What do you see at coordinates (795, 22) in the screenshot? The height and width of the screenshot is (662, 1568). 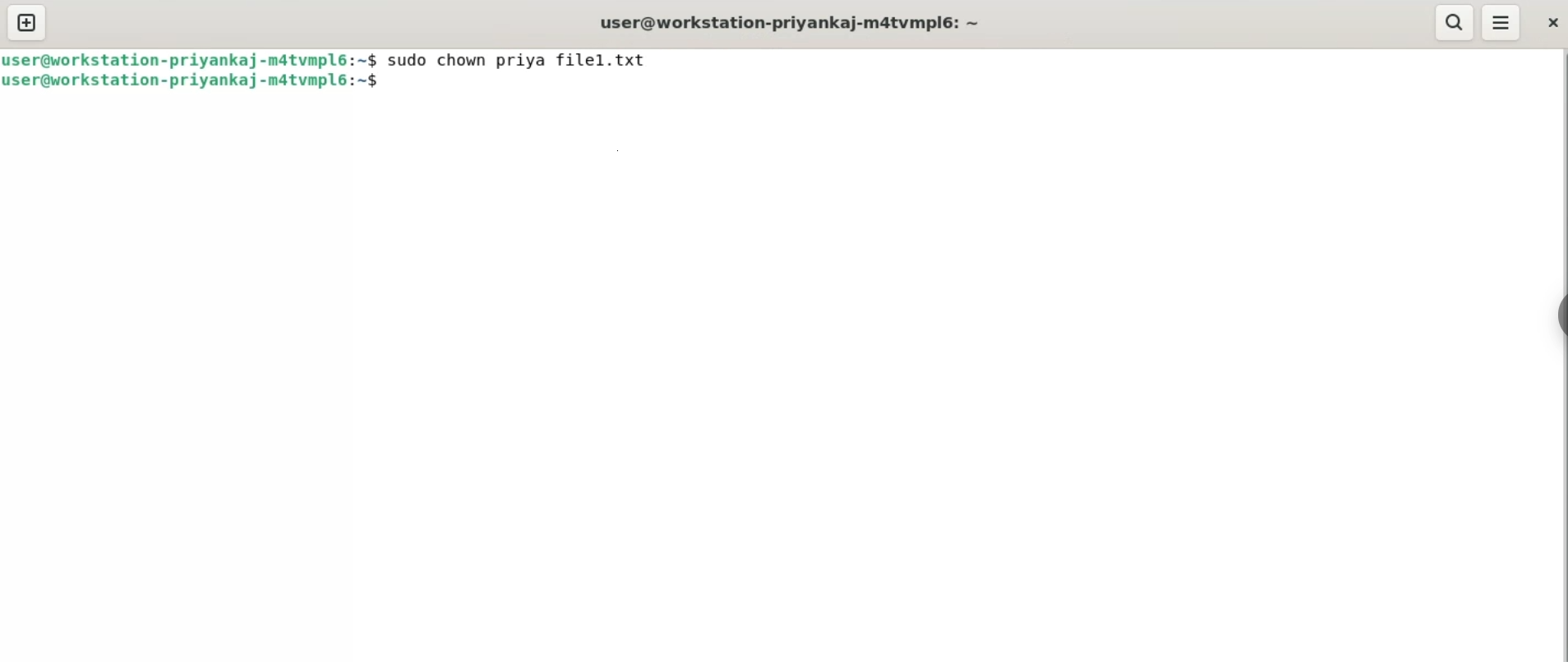 I see `user@workstation-priyankaj-m4tvmpl6: ~` at bounding box center [795, 22].